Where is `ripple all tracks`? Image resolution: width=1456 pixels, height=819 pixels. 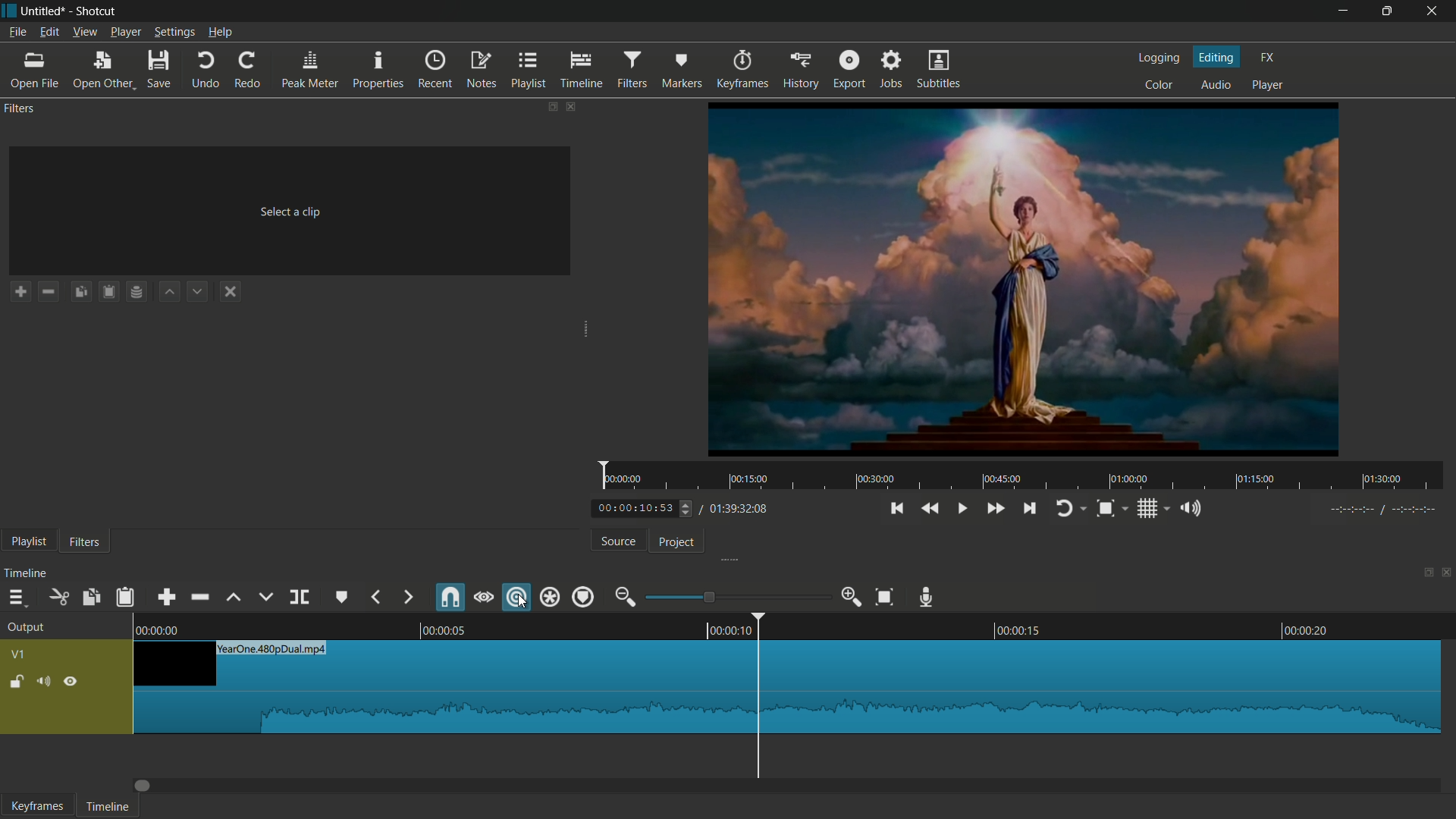 ripple all tracks is located at coordinates (548, 597).